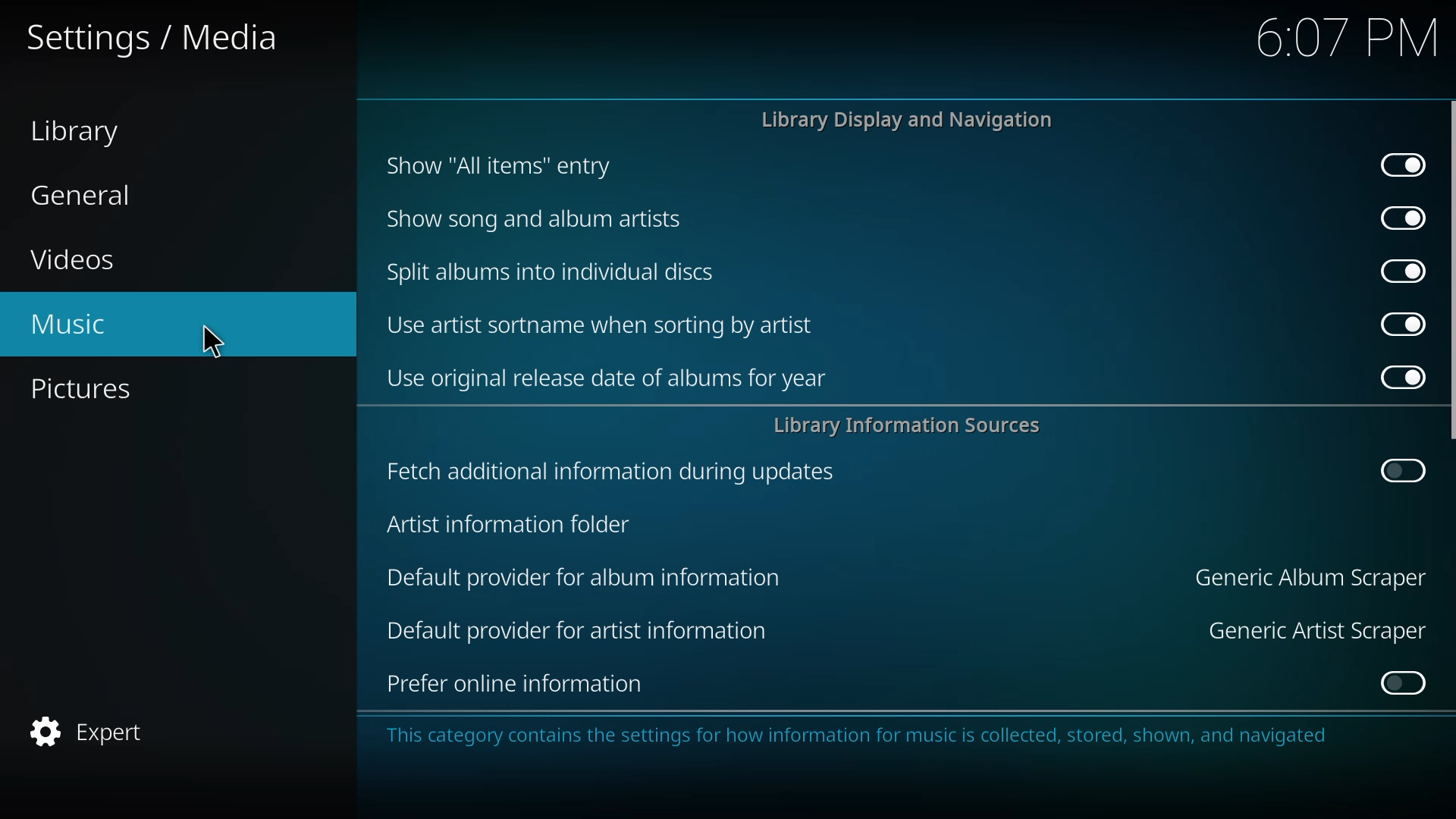 Image resolution: width=1456 pixels, height=819 pixels. I want to click on videos, so click(73, 257).